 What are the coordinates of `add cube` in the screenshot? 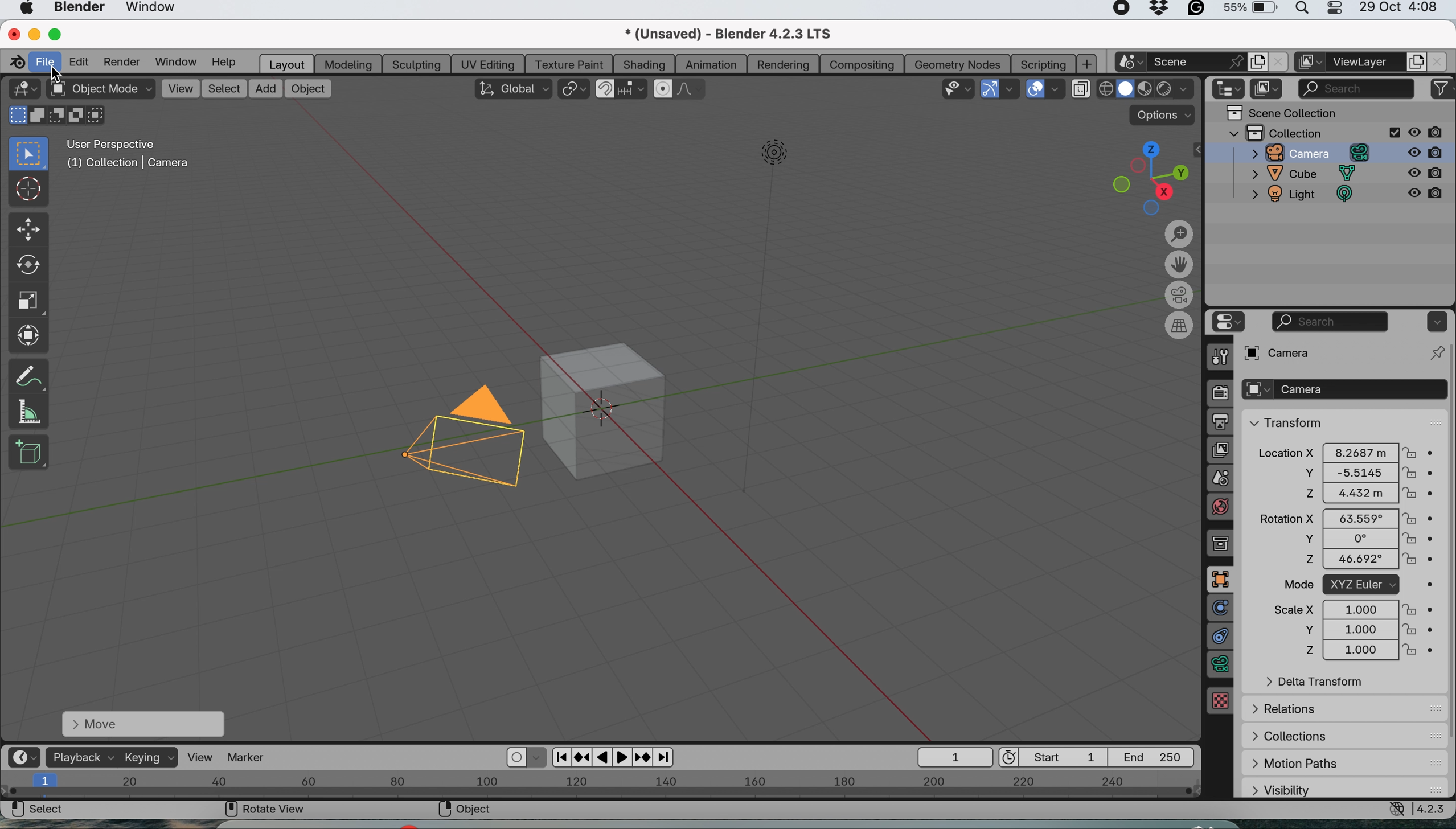 It's located at (30, 450).